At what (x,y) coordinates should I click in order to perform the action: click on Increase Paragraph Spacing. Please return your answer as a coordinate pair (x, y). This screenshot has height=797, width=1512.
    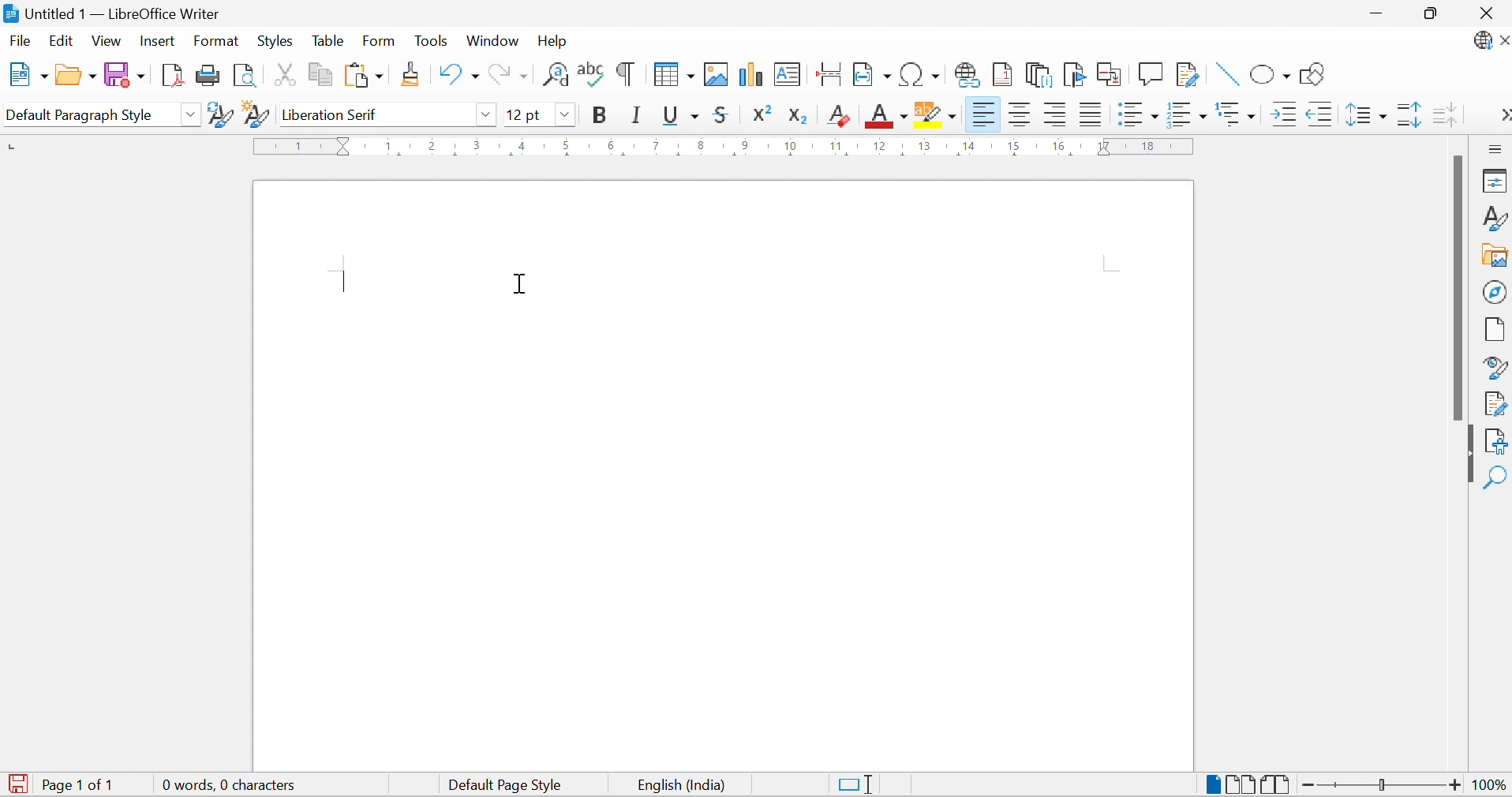
    Looking at the image, I should click on (1408, 116).